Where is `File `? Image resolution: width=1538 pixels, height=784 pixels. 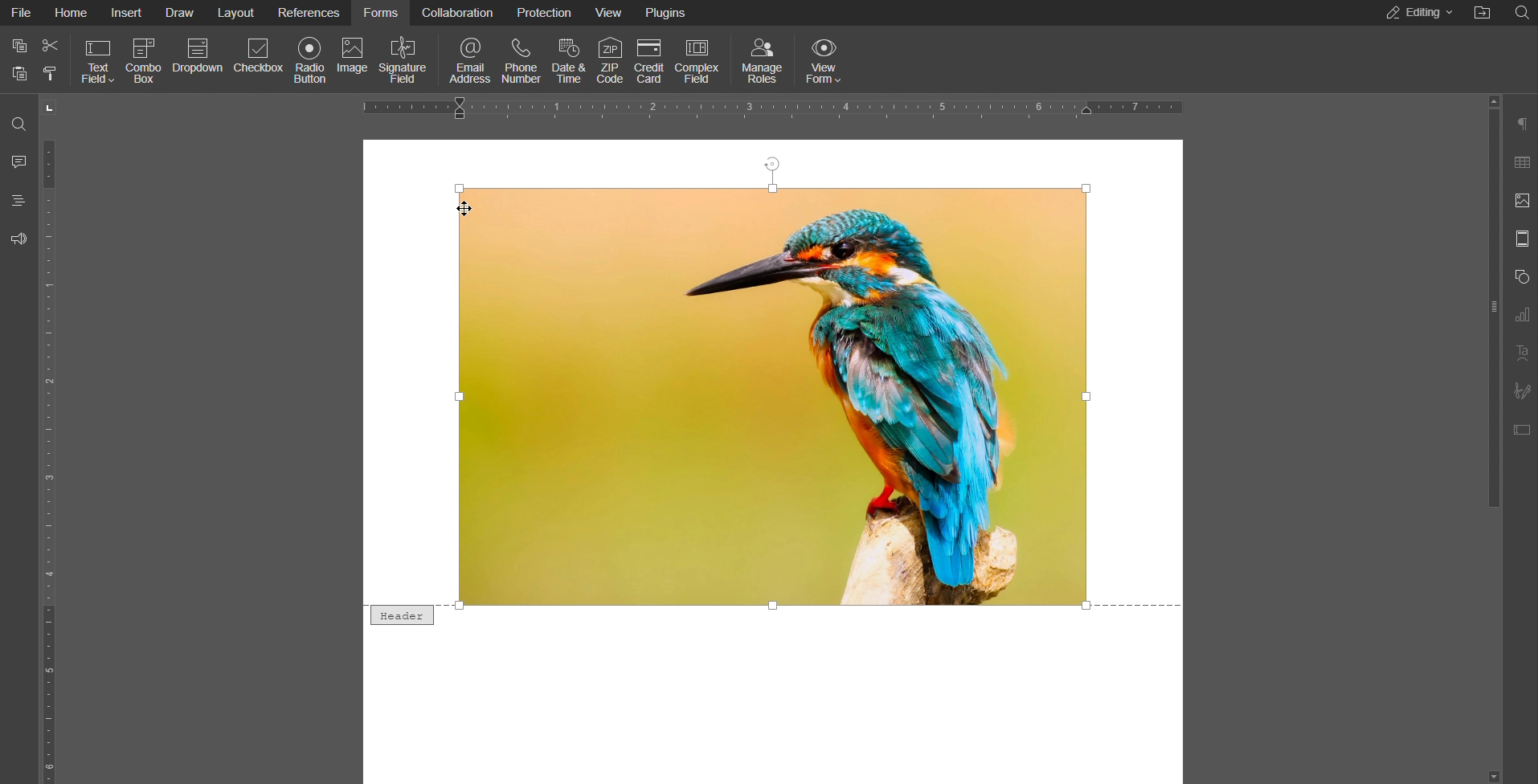
File  is located at coordinates (24, 14).